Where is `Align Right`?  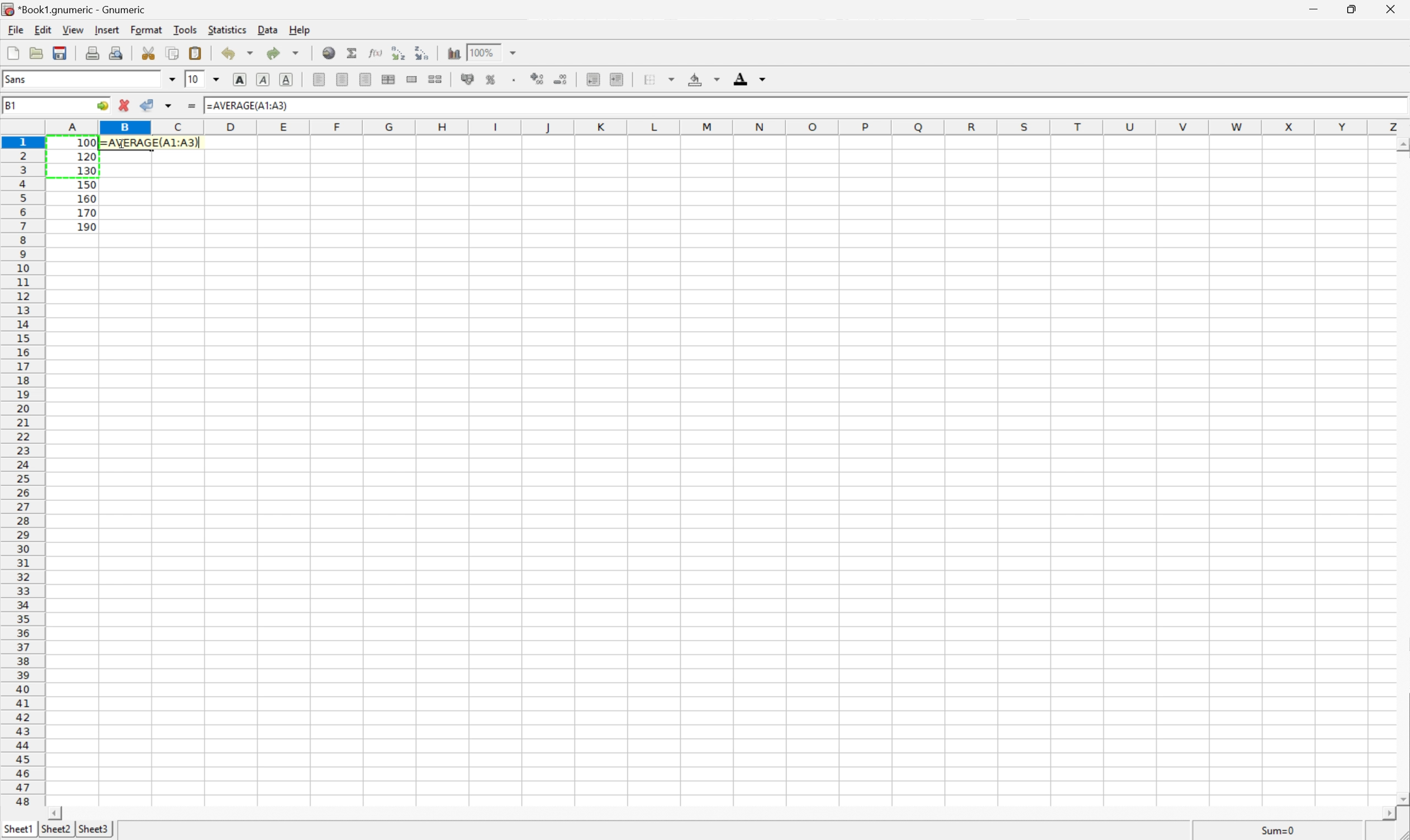 Align Right is located at coordinates (366, 79).